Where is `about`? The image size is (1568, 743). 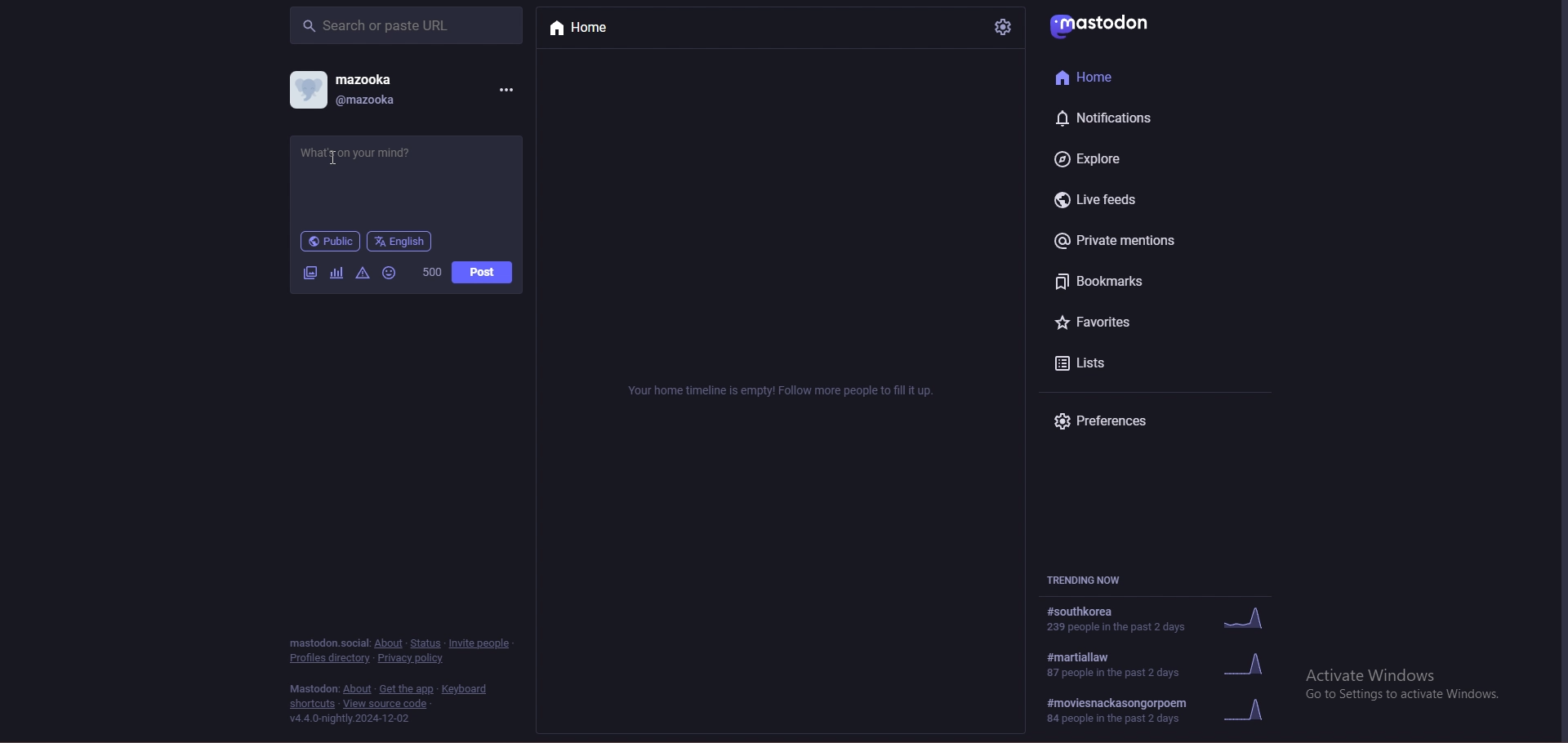 about is located at coordinates (390, 643).